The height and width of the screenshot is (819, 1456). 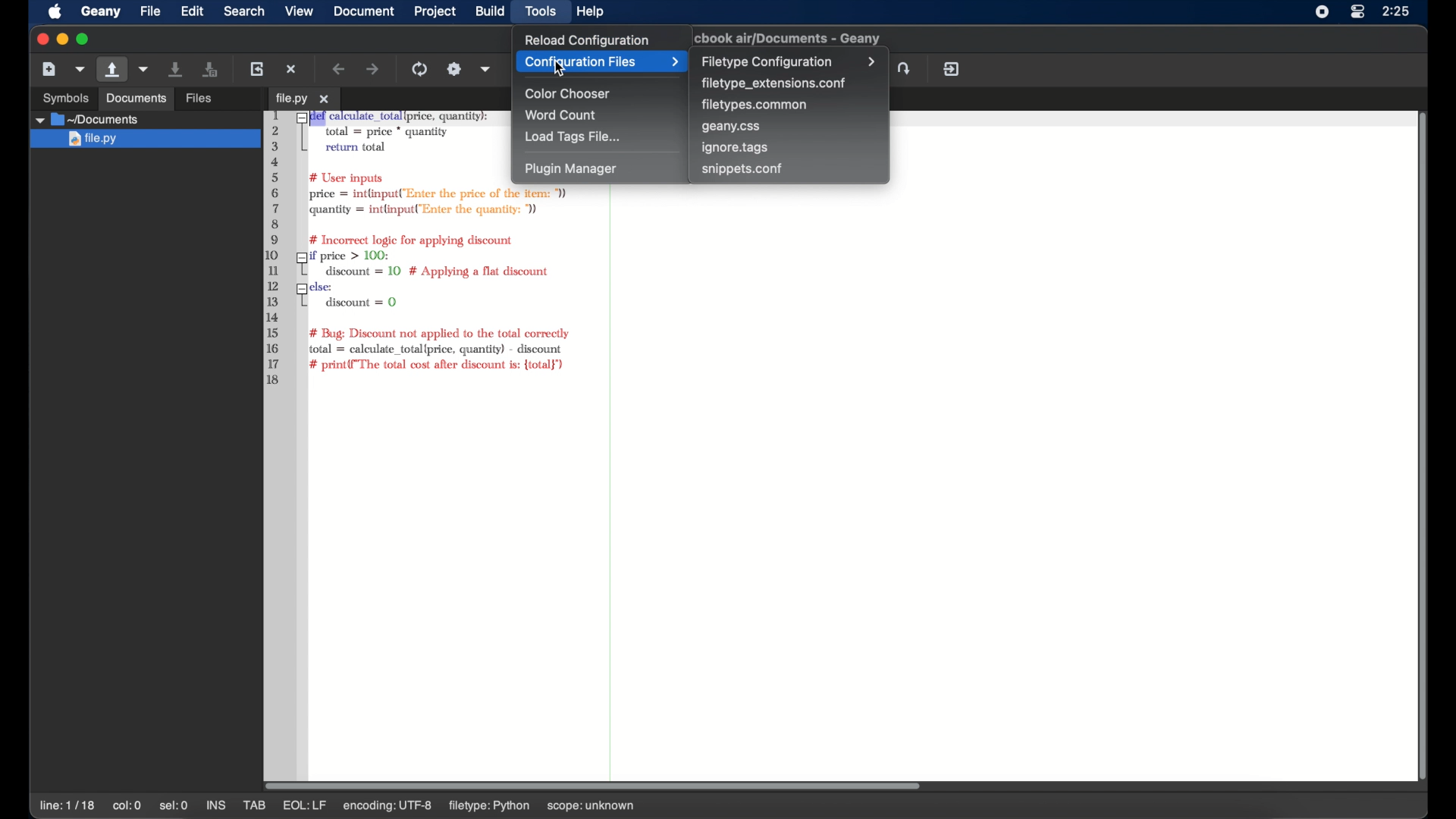 What do you see at coordinates (143, 140) in the screenshot?
I see `file.py highlighted` at bounding box center [143, 140].